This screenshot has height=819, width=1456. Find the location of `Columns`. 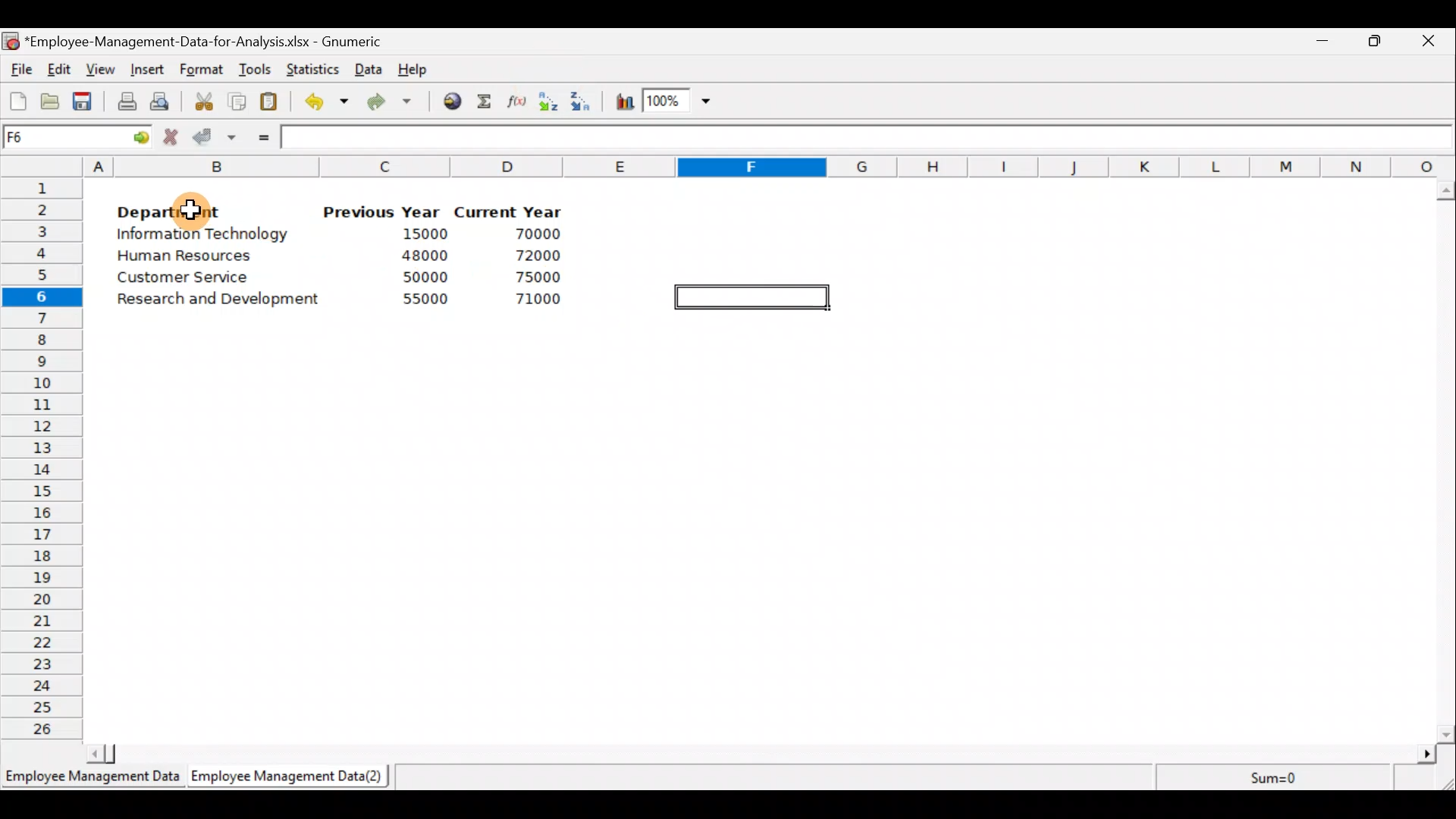

Columns is located at coordinates (769, 165).